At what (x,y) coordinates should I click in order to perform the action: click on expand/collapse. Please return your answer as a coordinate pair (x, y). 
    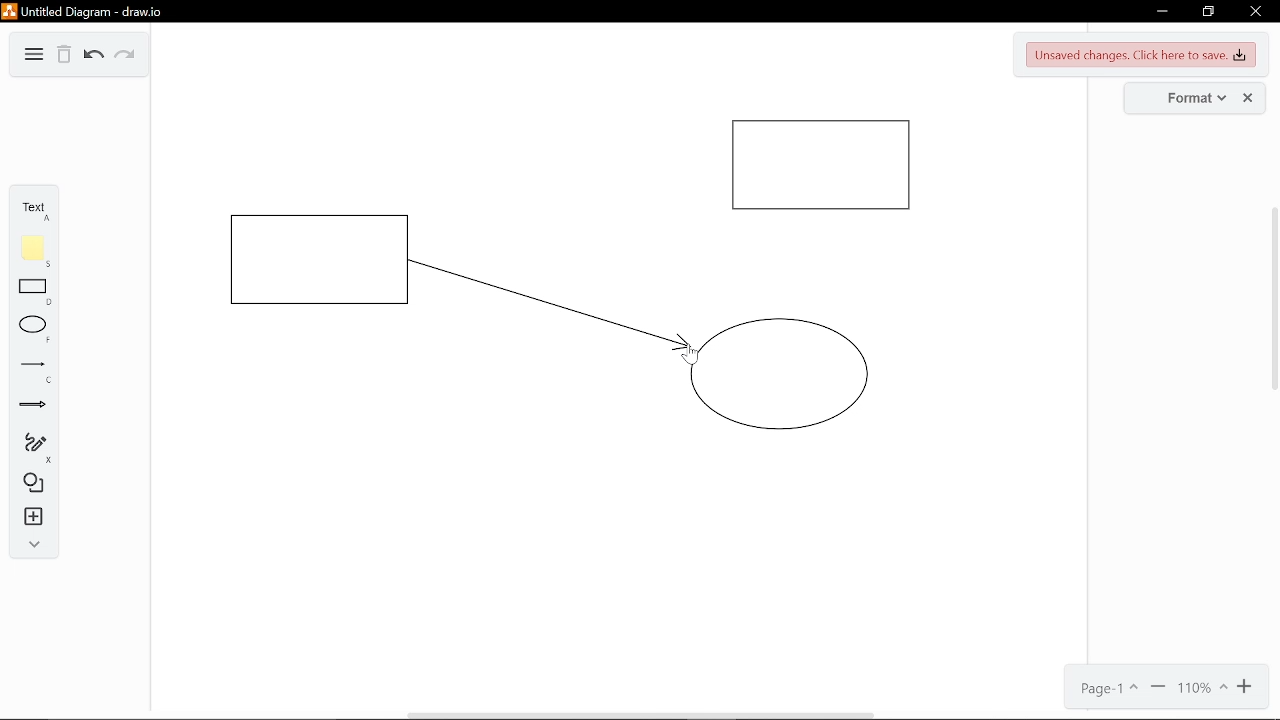
    Looking at the image, I should click on (31, 547).